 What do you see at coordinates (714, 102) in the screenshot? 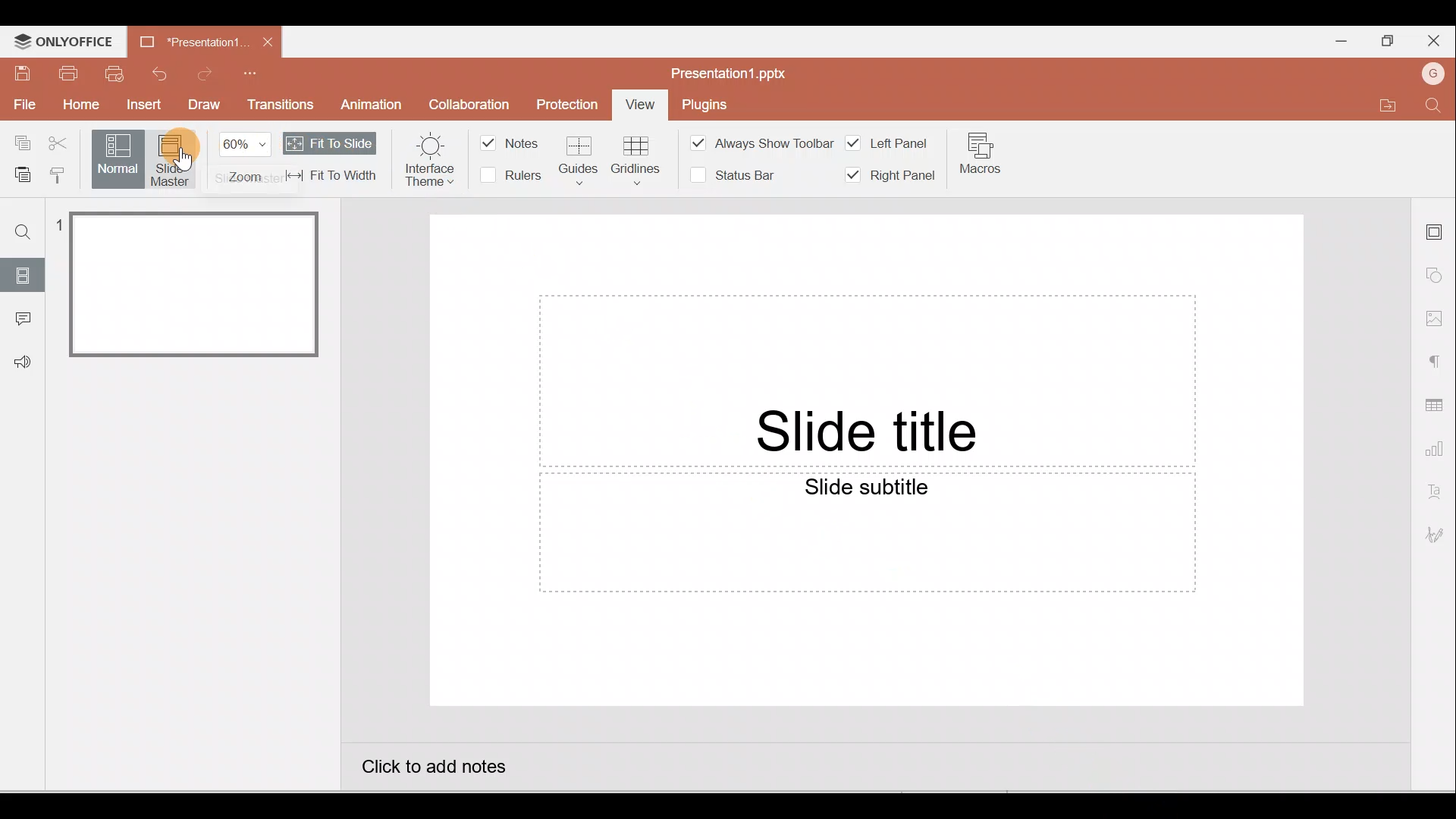
I see `Plugins` at bounding box center [714, 102].